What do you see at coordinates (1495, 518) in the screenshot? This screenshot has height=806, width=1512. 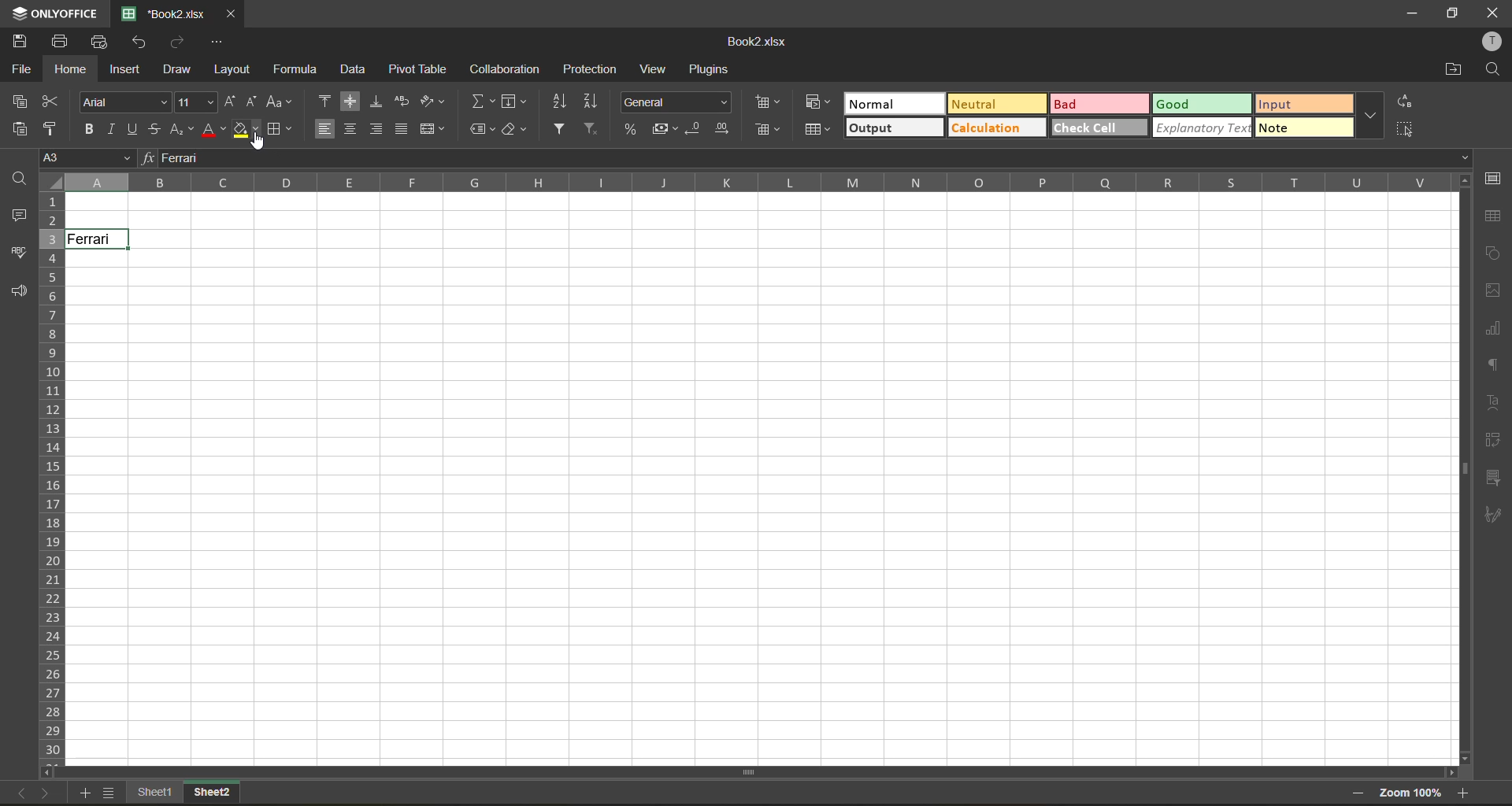 I see `signature` at bounding box center [1495, 518].